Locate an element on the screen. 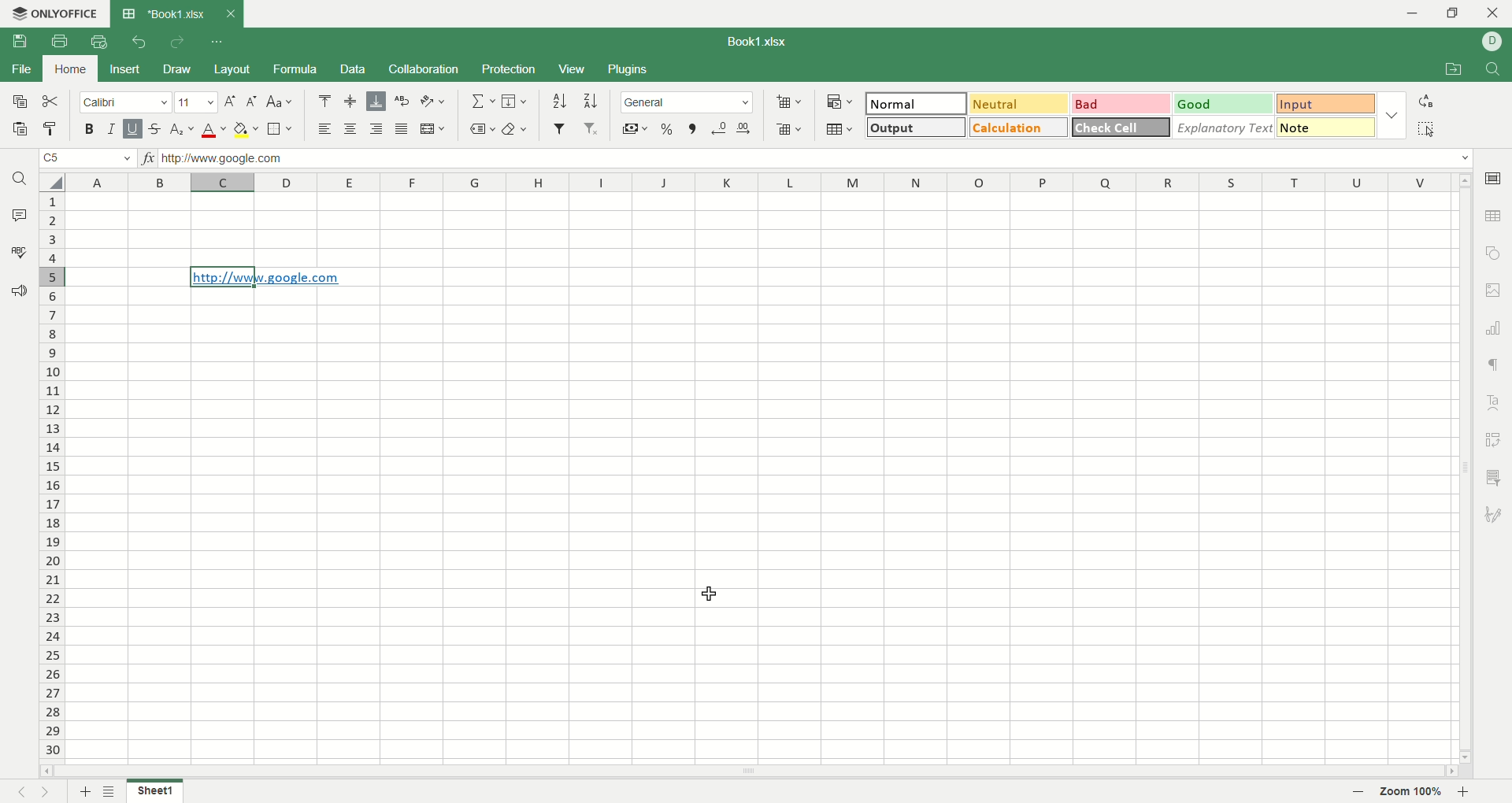  align top is located at coordinates (324, 101).